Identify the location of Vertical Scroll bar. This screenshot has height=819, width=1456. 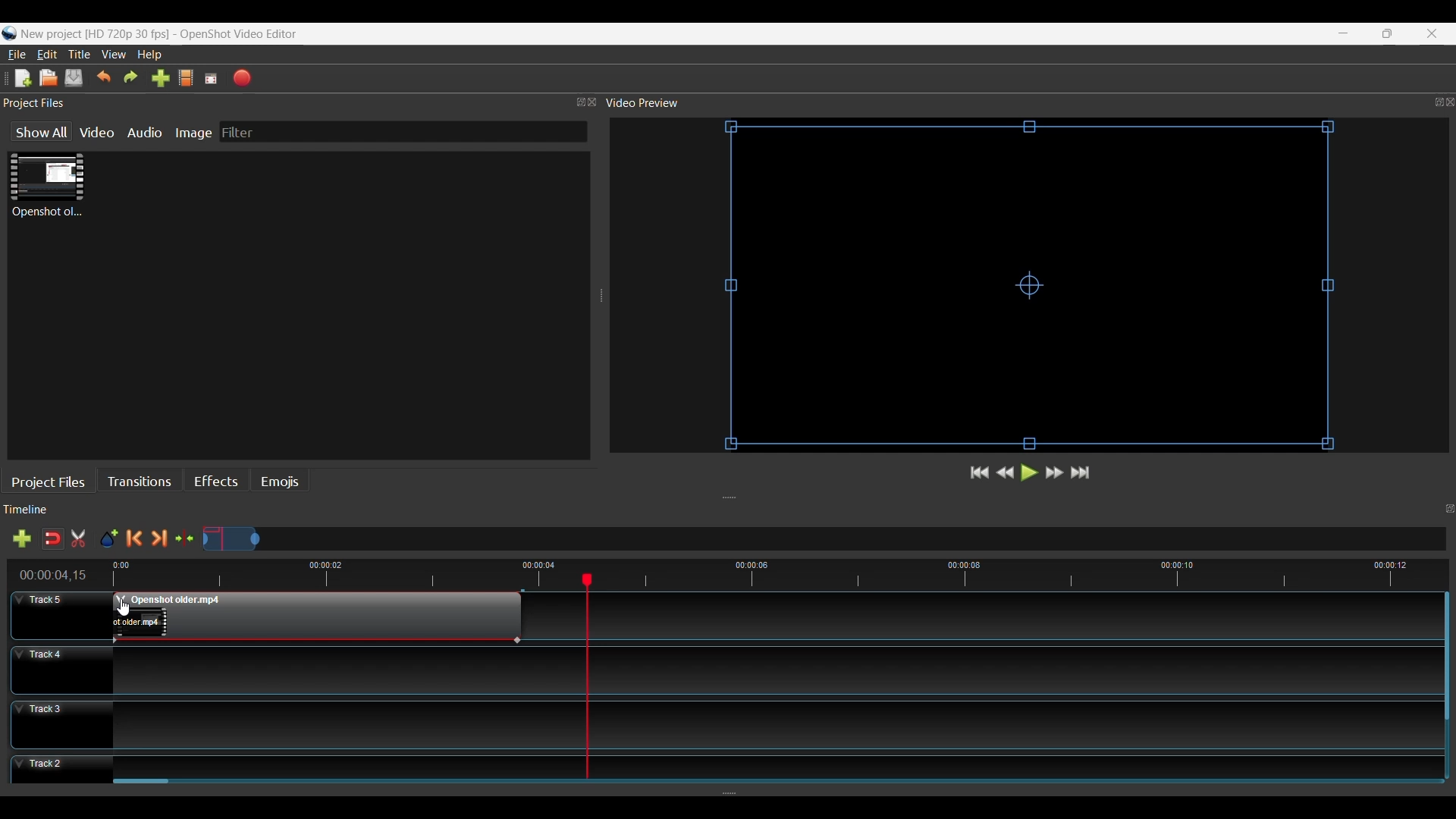
(1445, 657).